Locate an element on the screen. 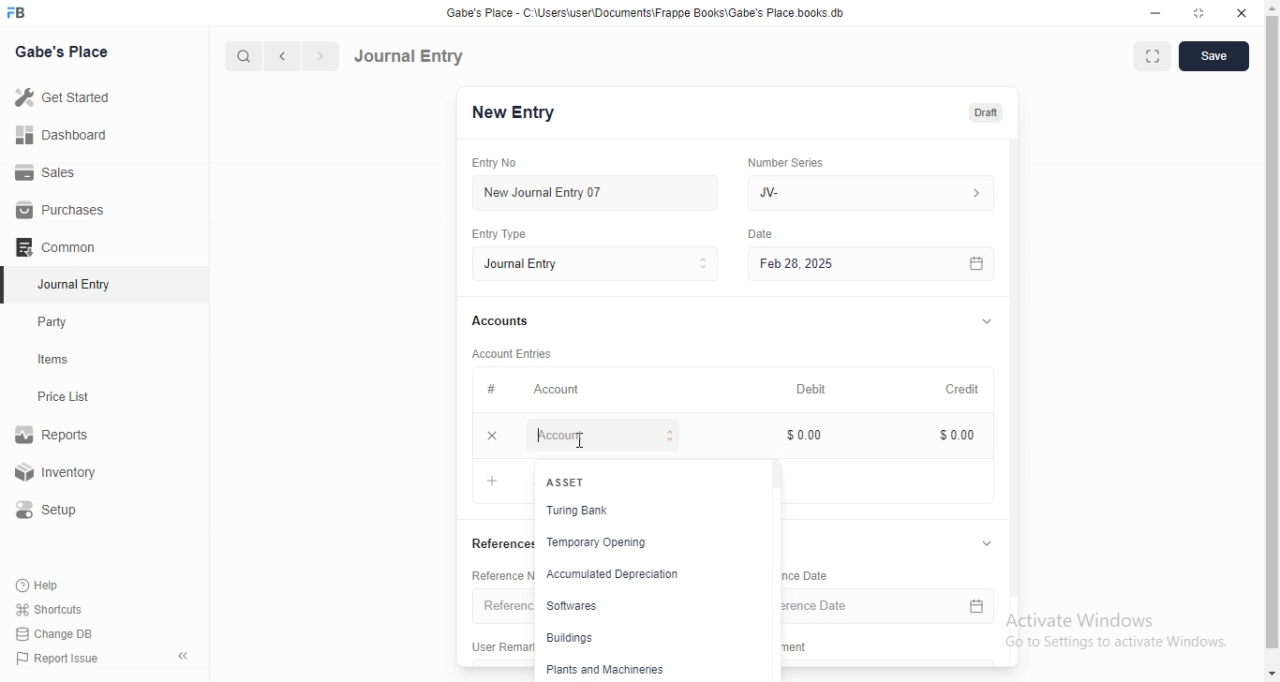 Image resolution: width=1280 pixels, height=682 pixels. Attachment is located at coordinates (801, 647).